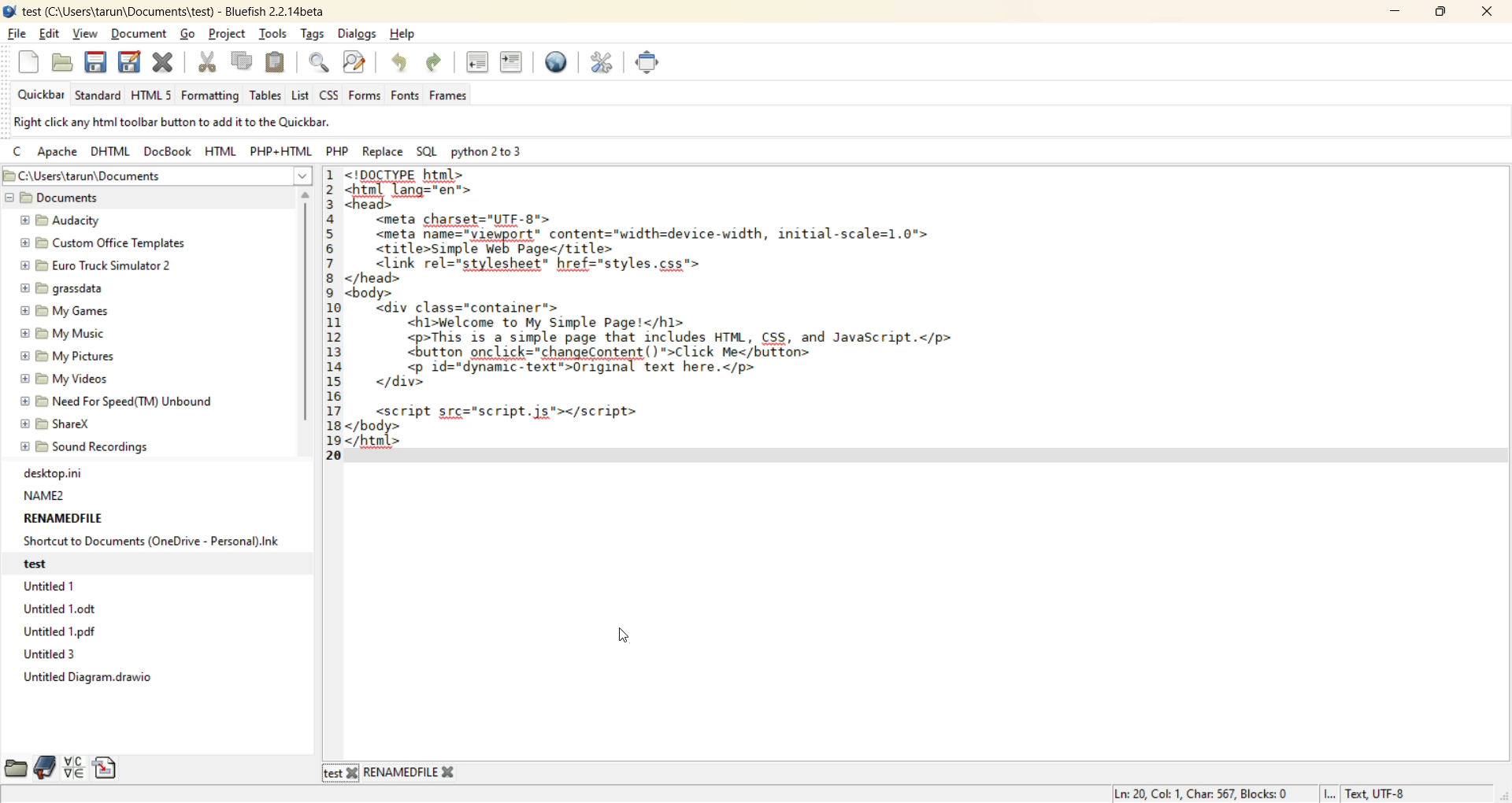 The height and width of the screenshot is (803, 1512). Describe the element at coordinates (341, 154) in the screenshot. I see `php` at that location.